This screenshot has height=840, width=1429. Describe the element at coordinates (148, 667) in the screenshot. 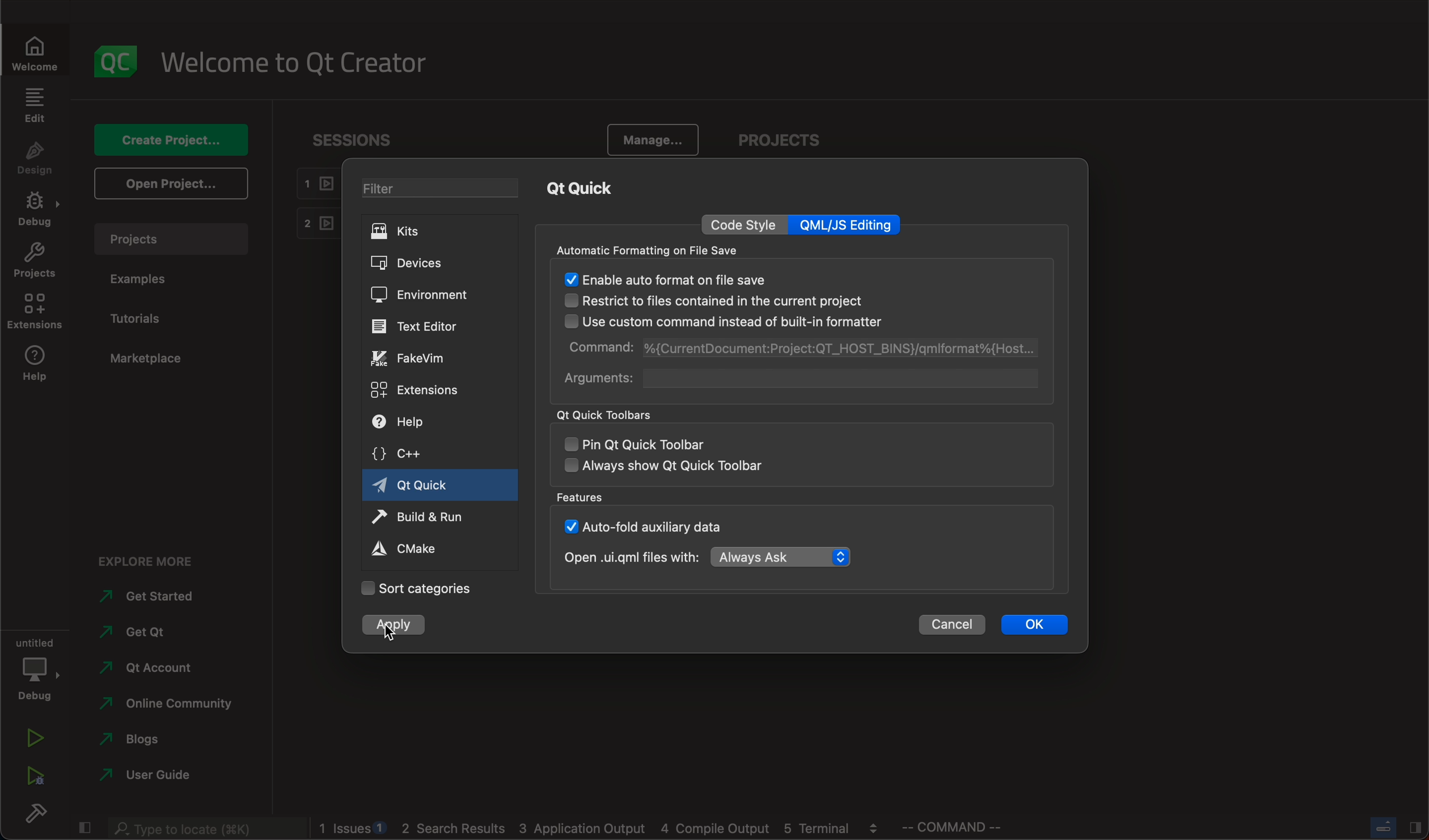

I see `account` at that location.